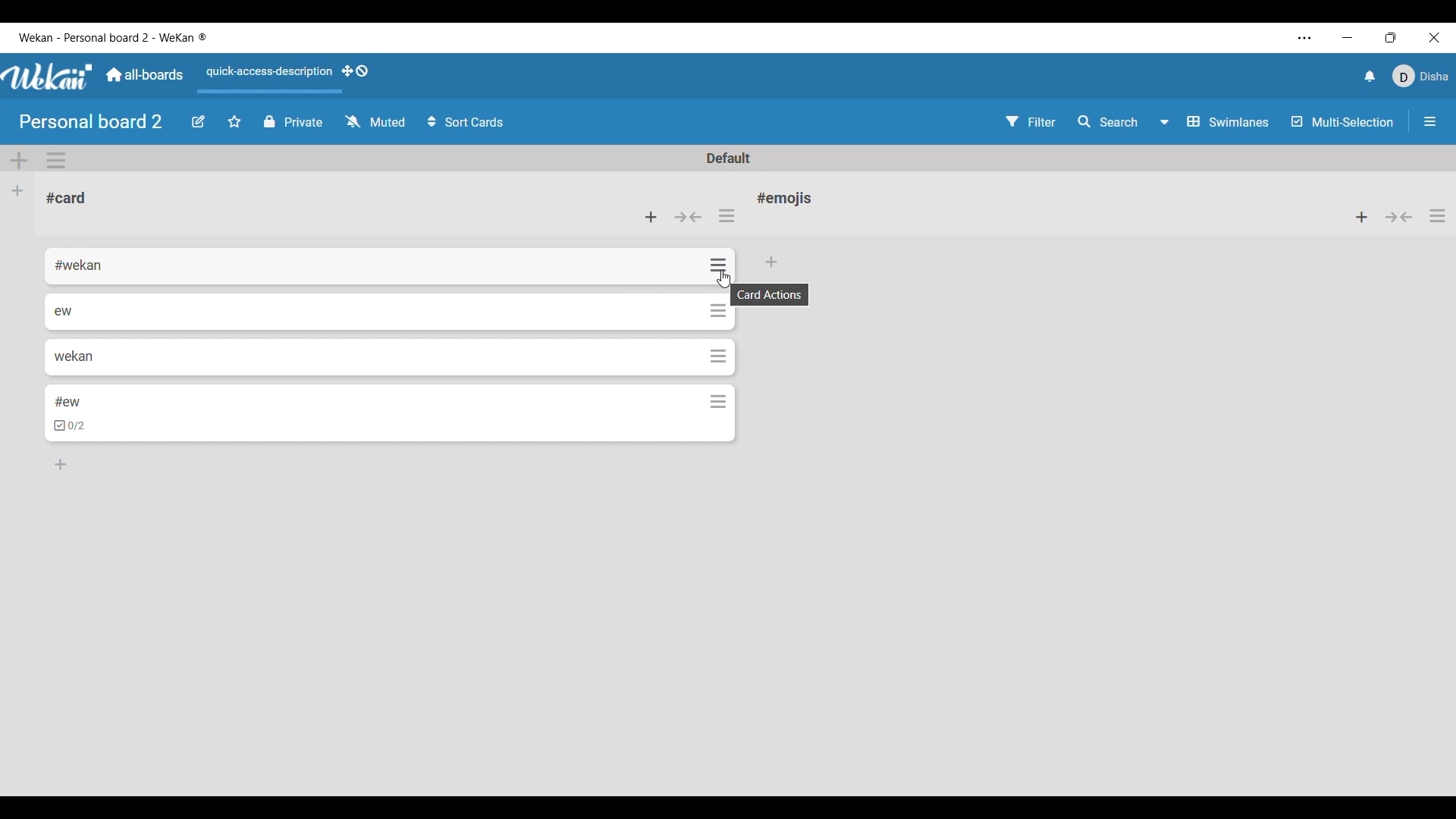 The width and height of the screenshot is (1456, 819). Describe the element at coordinates (66, 198) in the screenshot. I see `Card name` at that location.